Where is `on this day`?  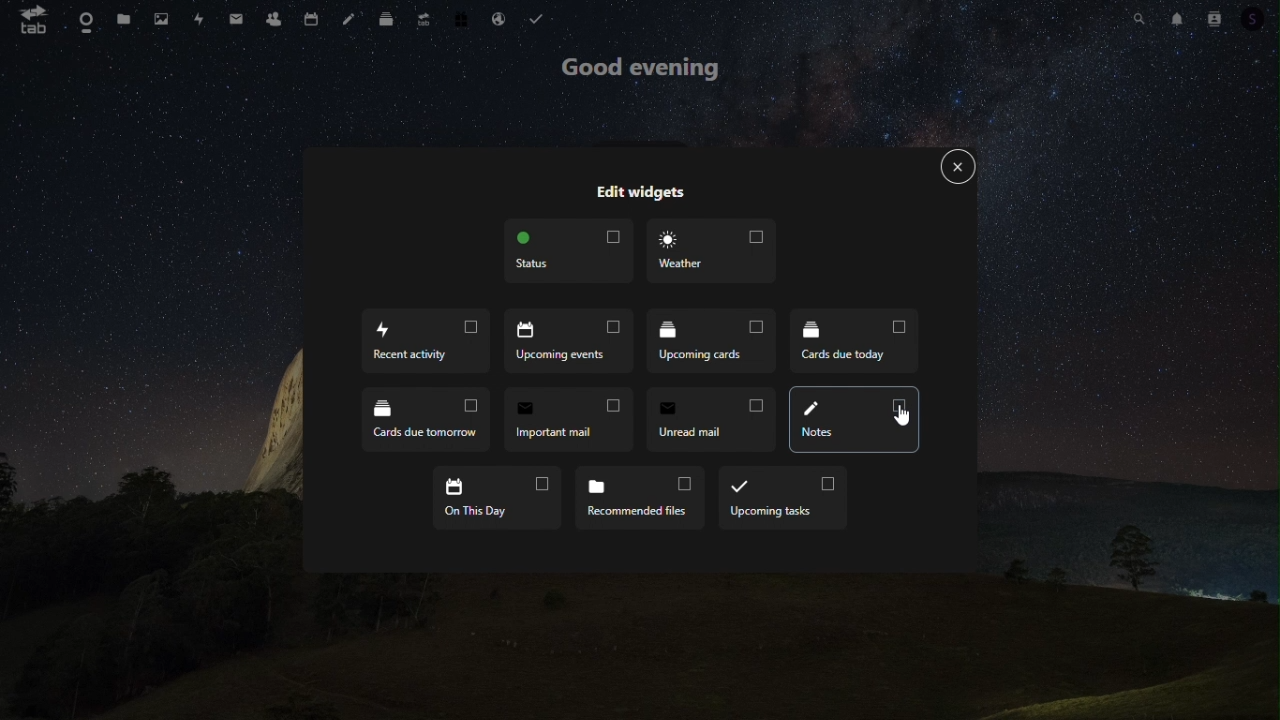 on this day is located at coordinates (497, 500).